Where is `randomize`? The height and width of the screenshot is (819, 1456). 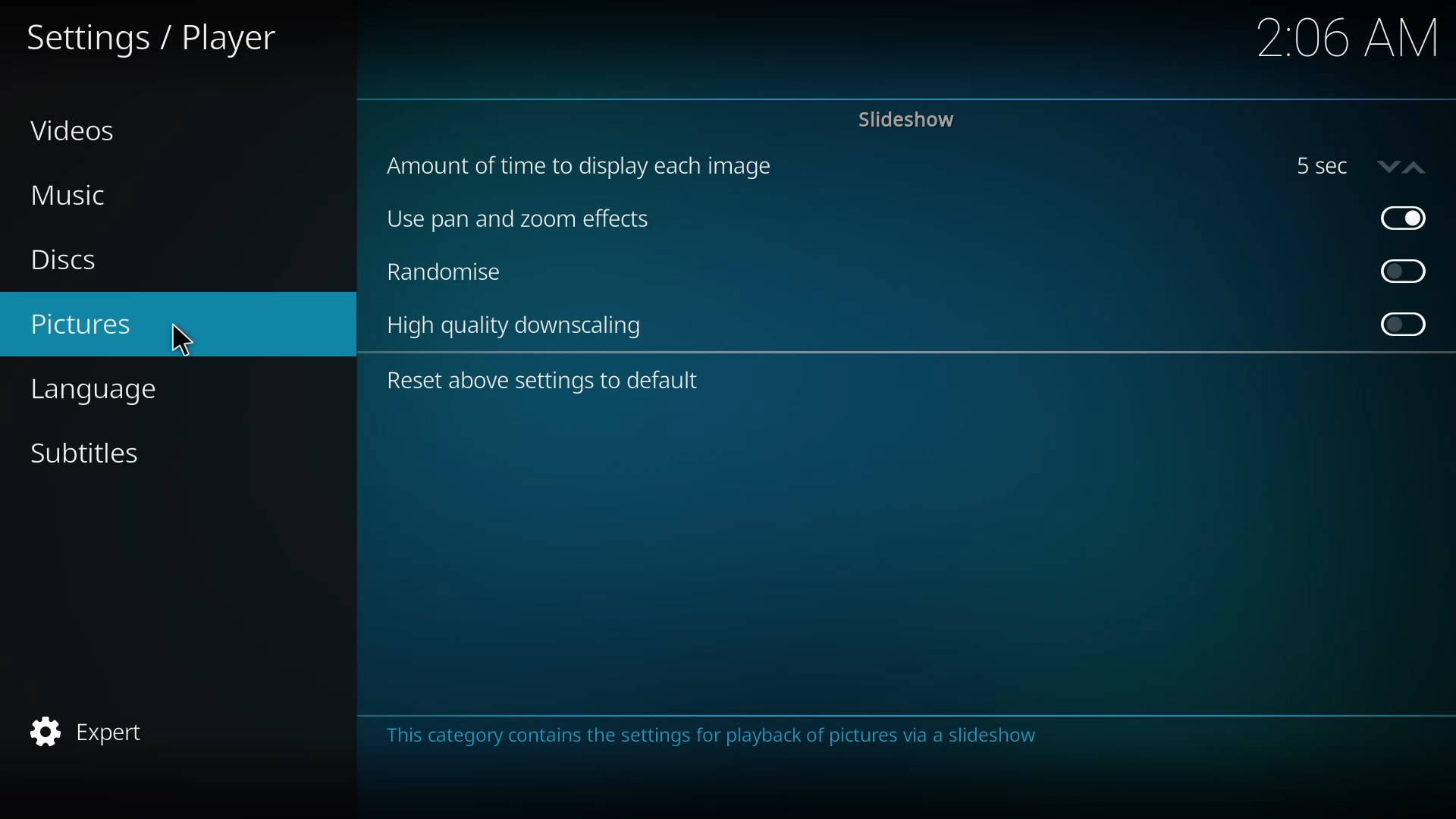
randomize is located at coordinates (446, 274).